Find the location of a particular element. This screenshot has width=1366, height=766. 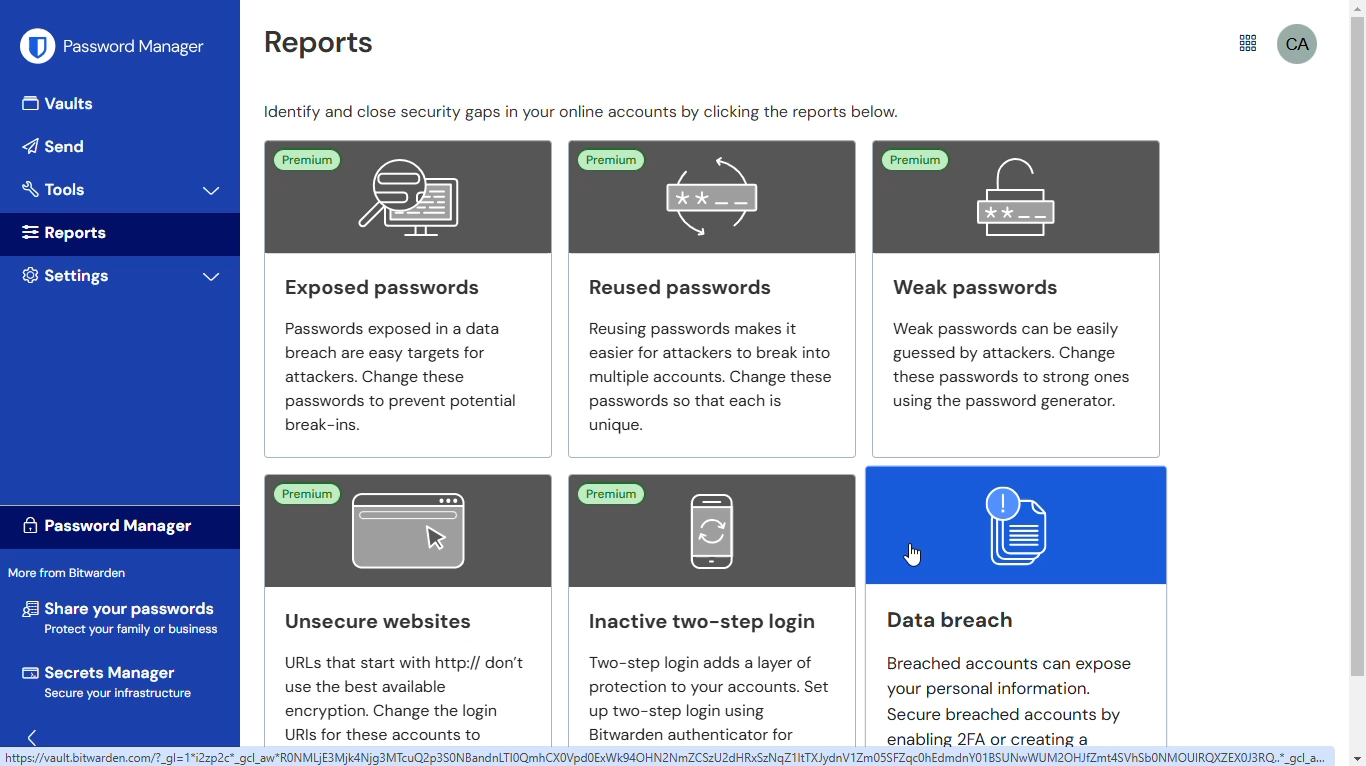

weak passwords is located at coordinates (1015, 194).